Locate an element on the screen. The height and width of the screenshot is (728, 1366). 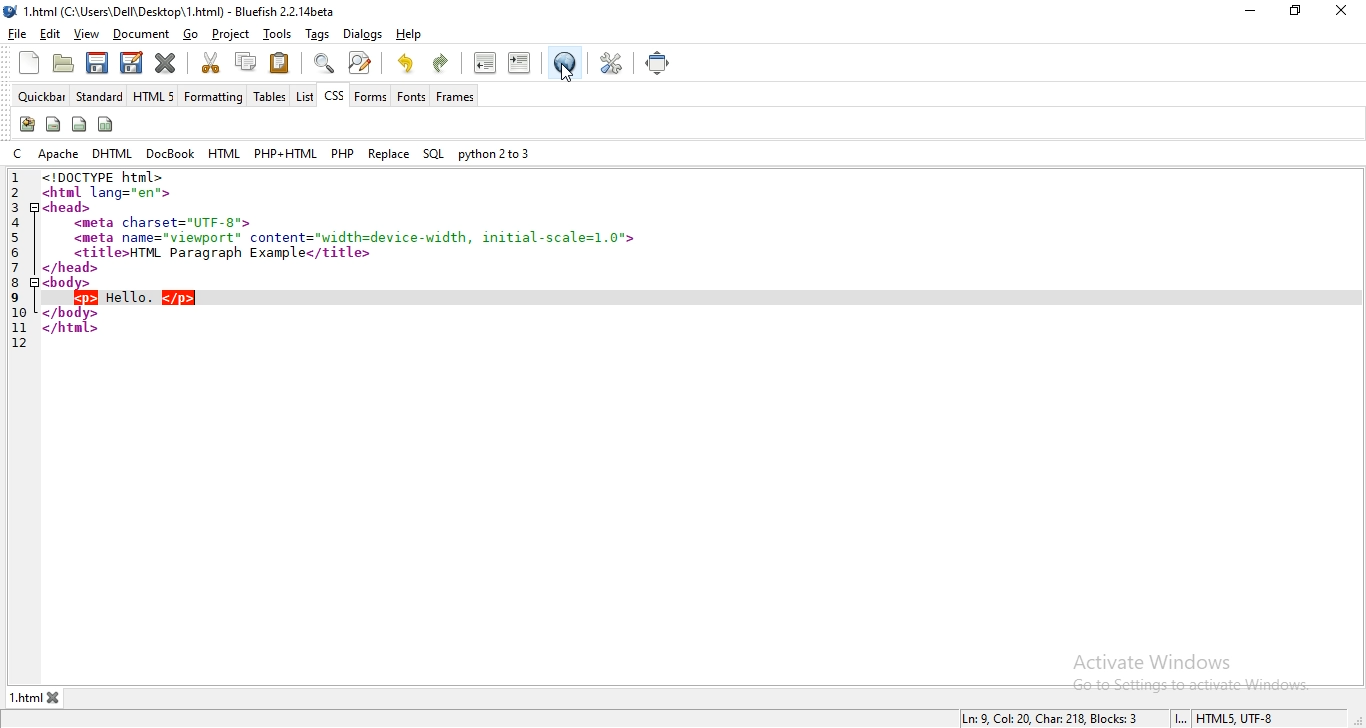
close is located at coordinates (57, 698).